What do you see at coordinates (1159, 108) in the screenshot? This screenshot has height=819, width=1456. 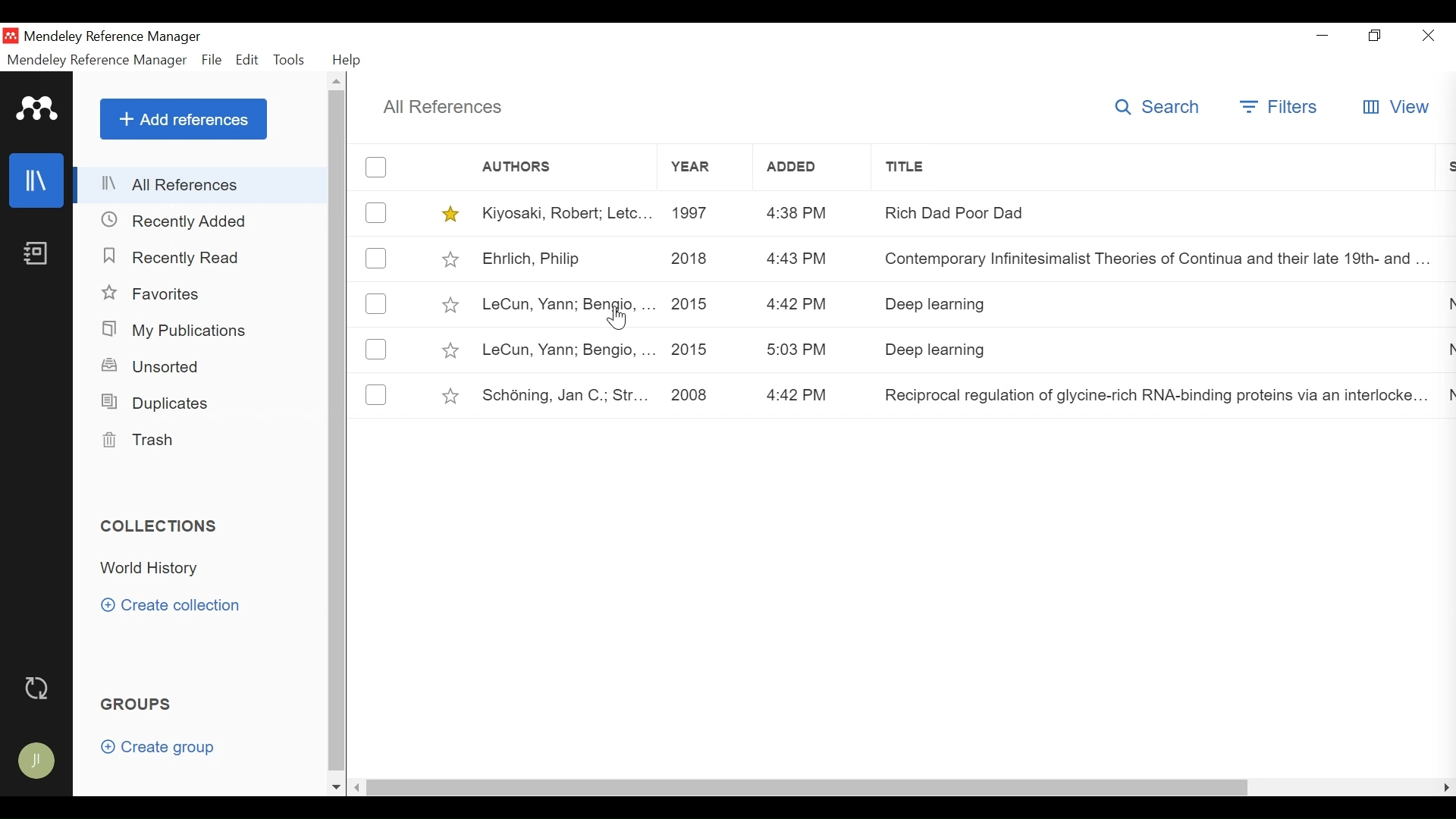 I see `Search` at bounding box center [1159, 108].